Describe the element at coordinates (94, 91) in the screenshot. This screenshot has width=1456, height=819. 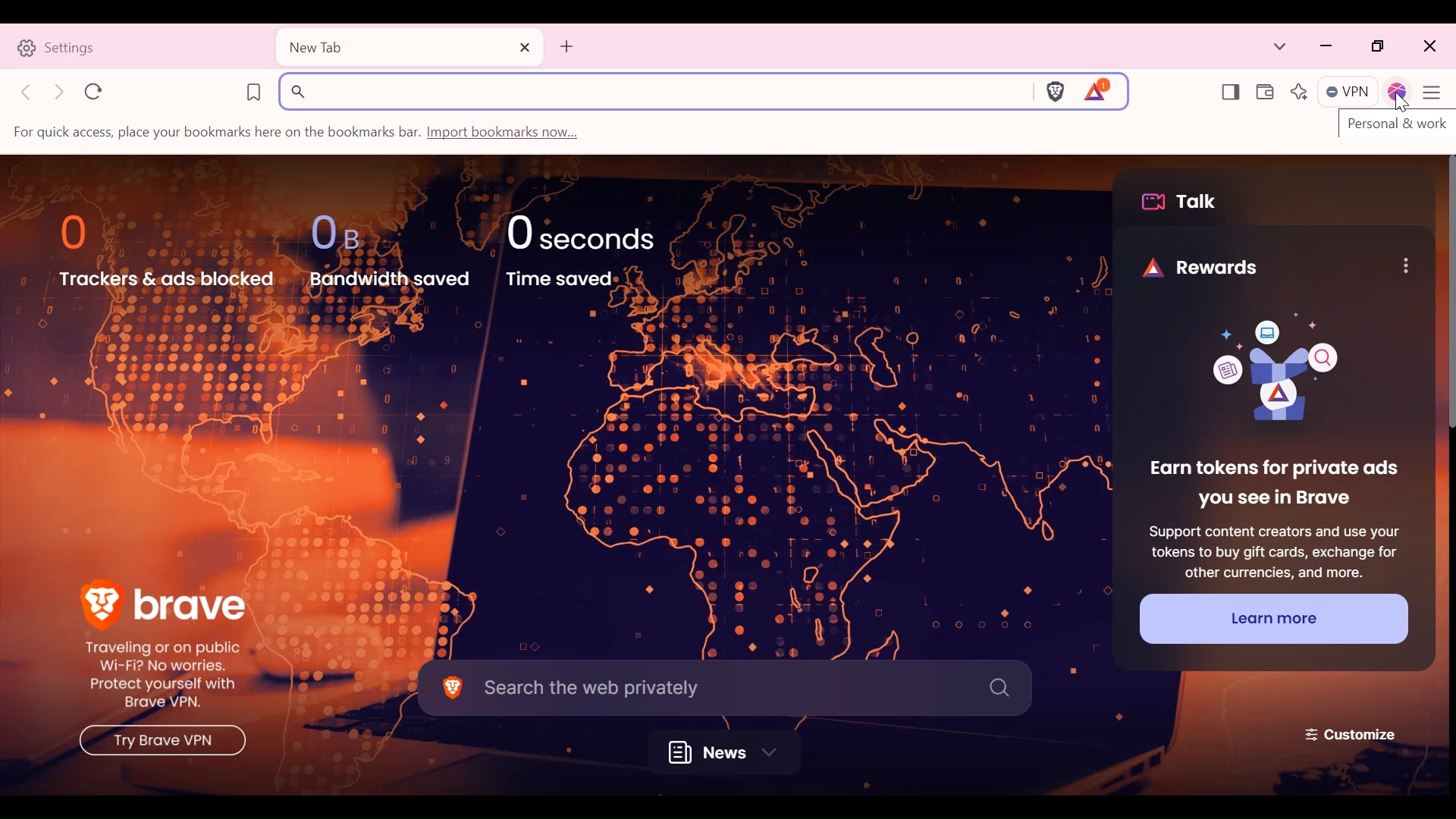
I see `Reload this page` at that location.